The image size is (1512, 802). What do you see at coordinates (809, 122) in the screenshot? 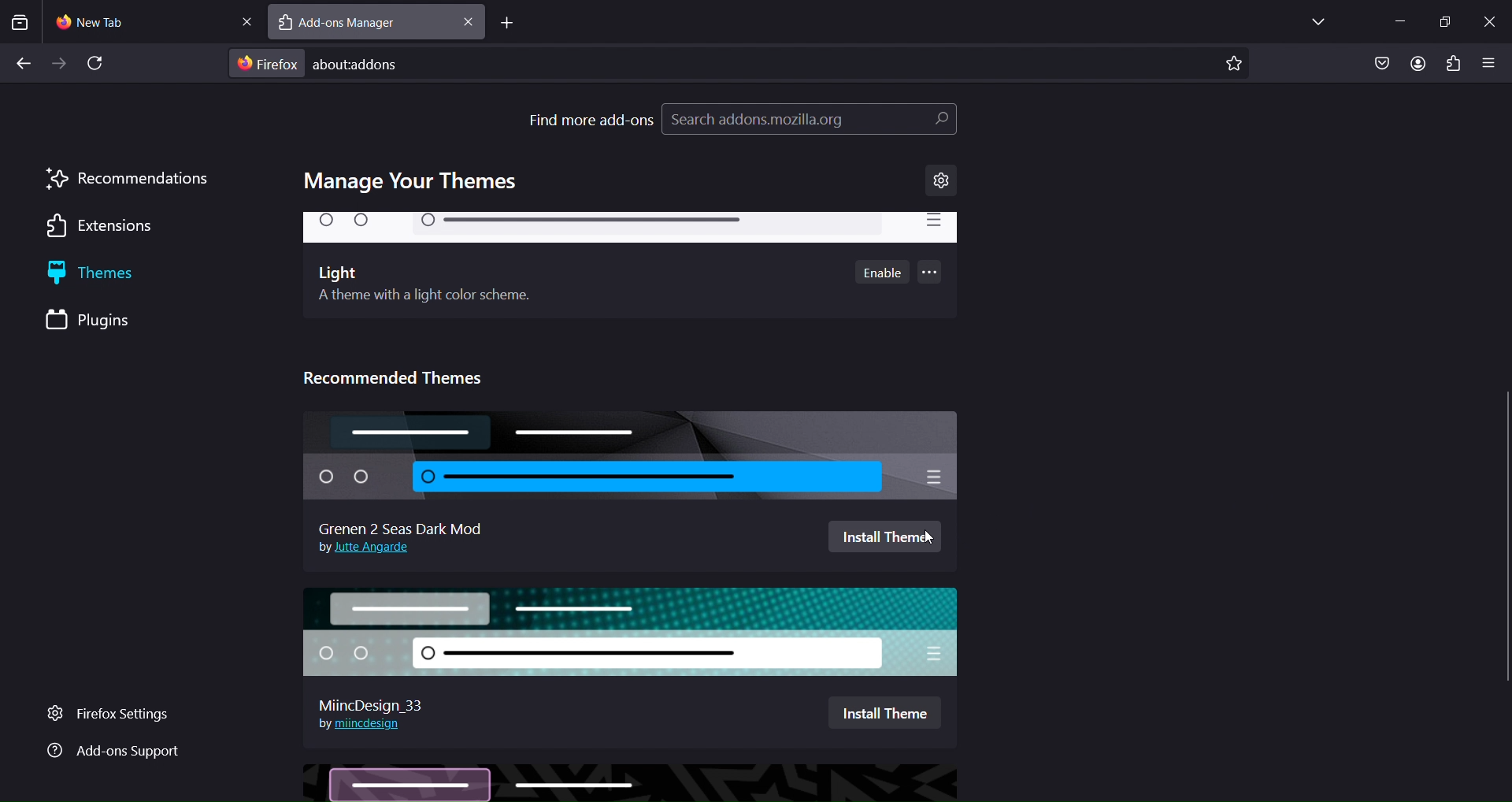
I see `search addons.mozilla.org` at bounding box center [809, 122].